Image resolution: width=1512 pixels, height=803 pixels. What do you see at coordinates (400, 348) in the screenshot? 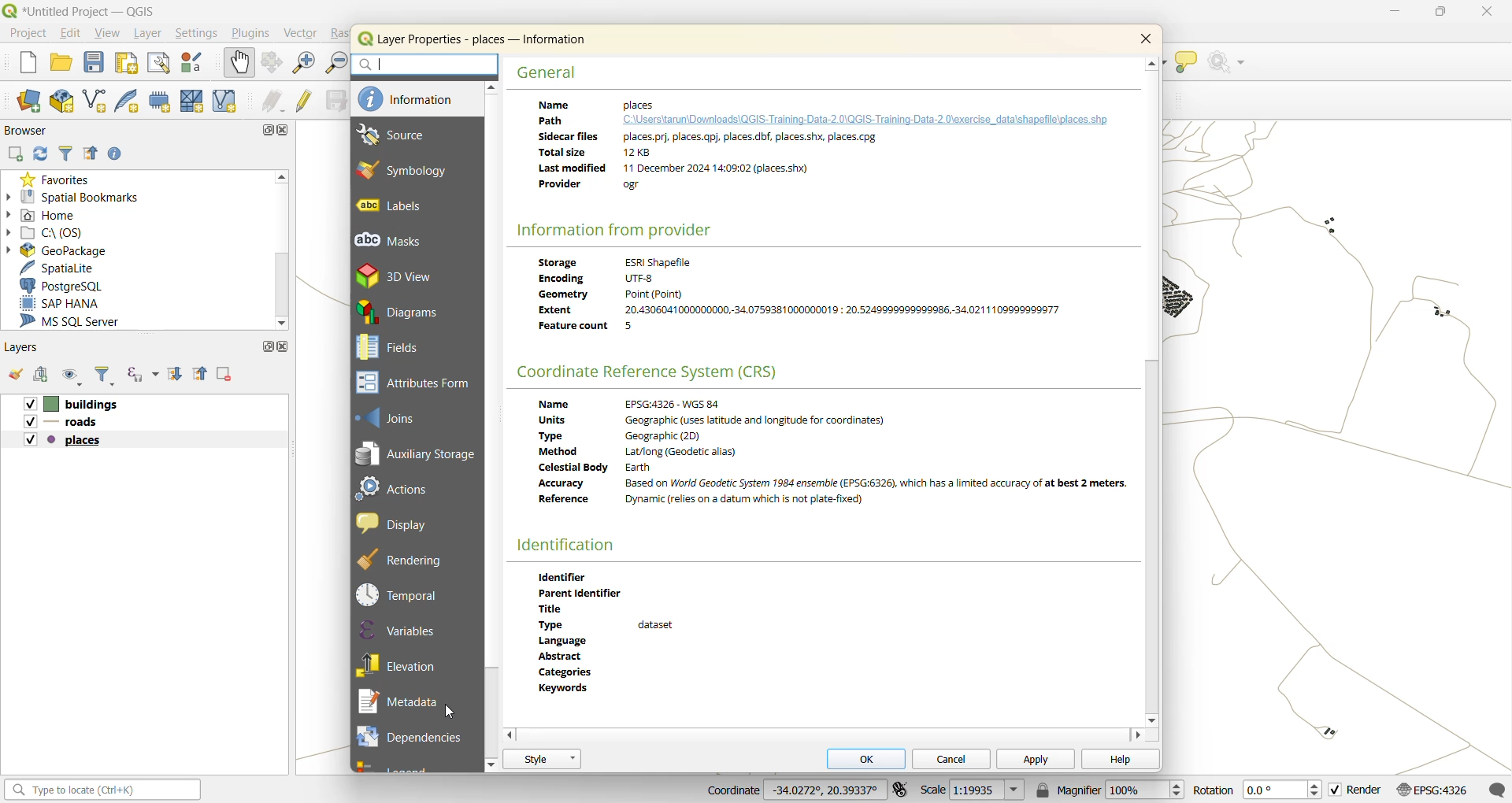
I see `fields` at bounding box center [400, 348].